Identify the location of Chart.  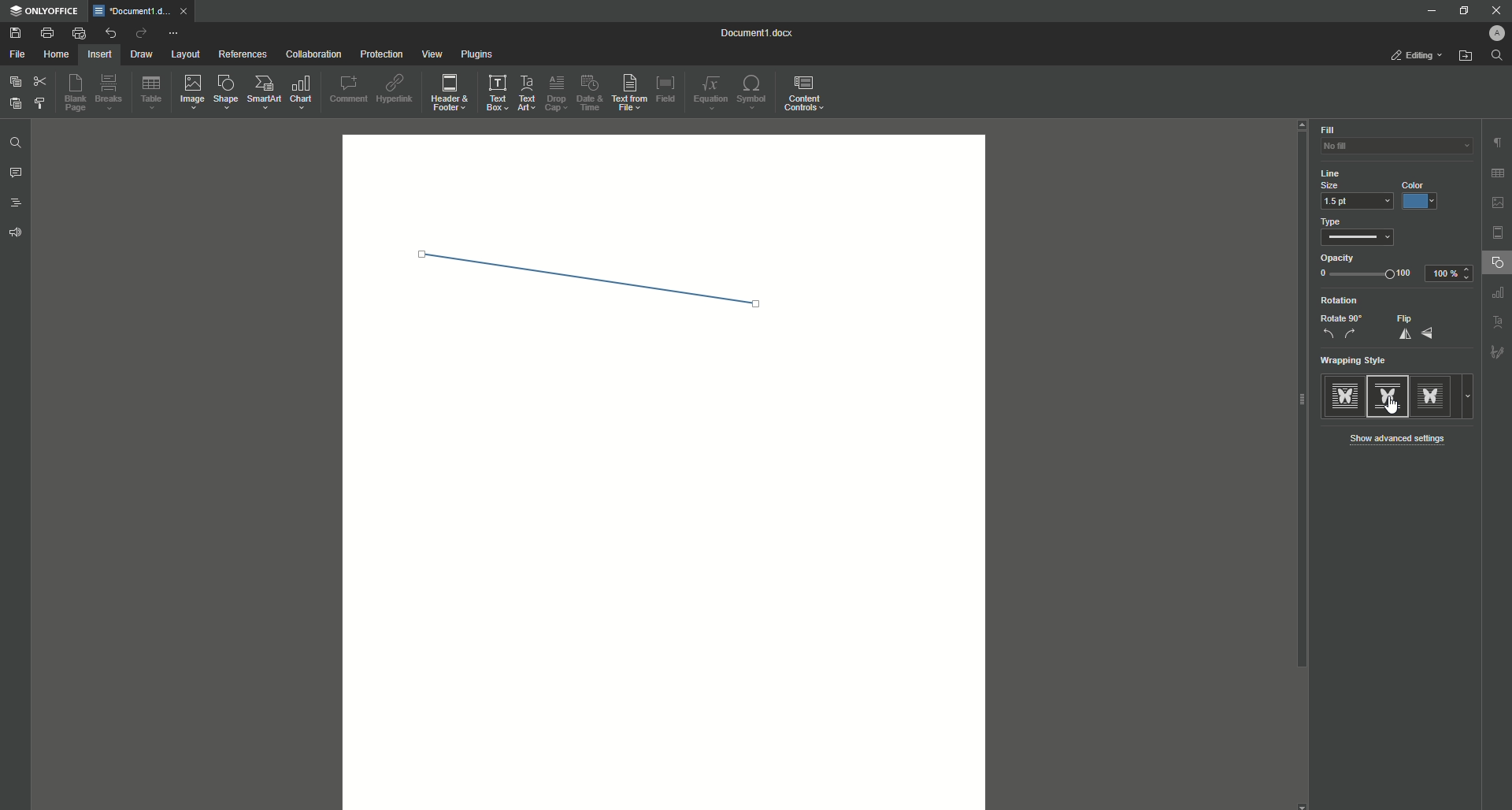
(302, 92).